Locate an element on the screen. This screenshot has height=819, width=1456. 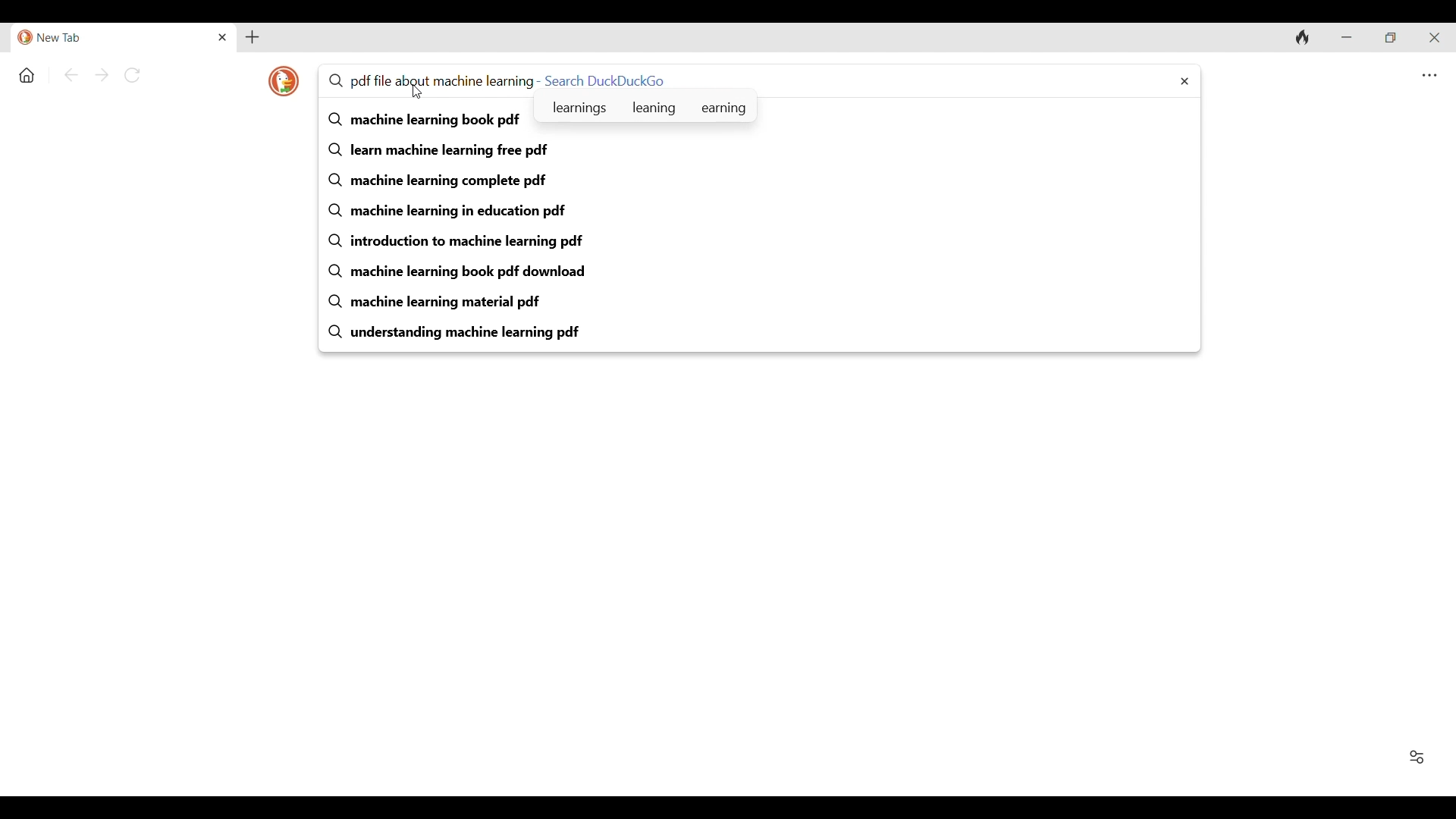
machine learning book pdf is located at coordinates (425, 120).